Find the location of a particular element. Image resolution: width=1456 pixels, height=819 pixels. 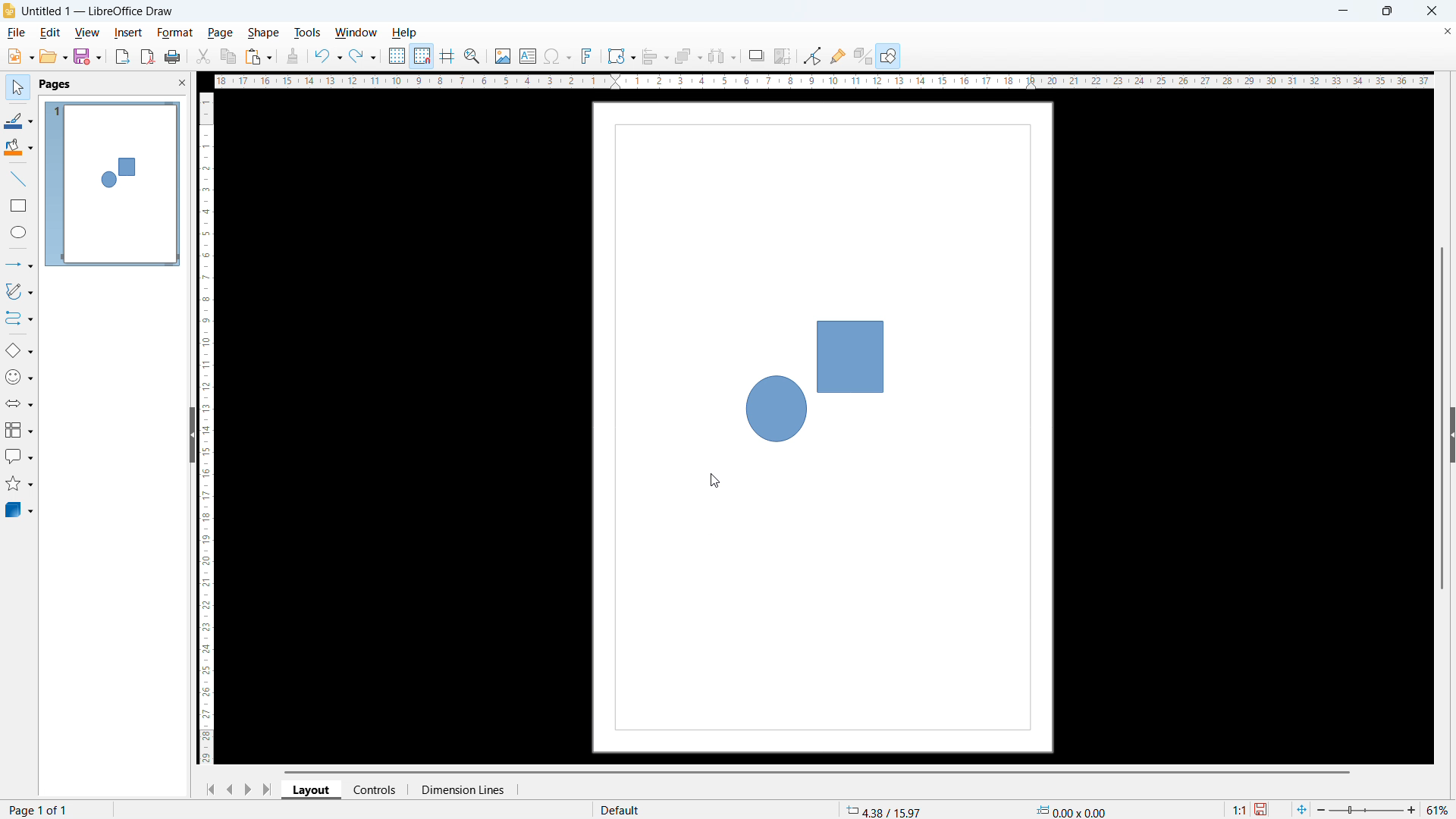

connectors is located at coordinates (20, 319).